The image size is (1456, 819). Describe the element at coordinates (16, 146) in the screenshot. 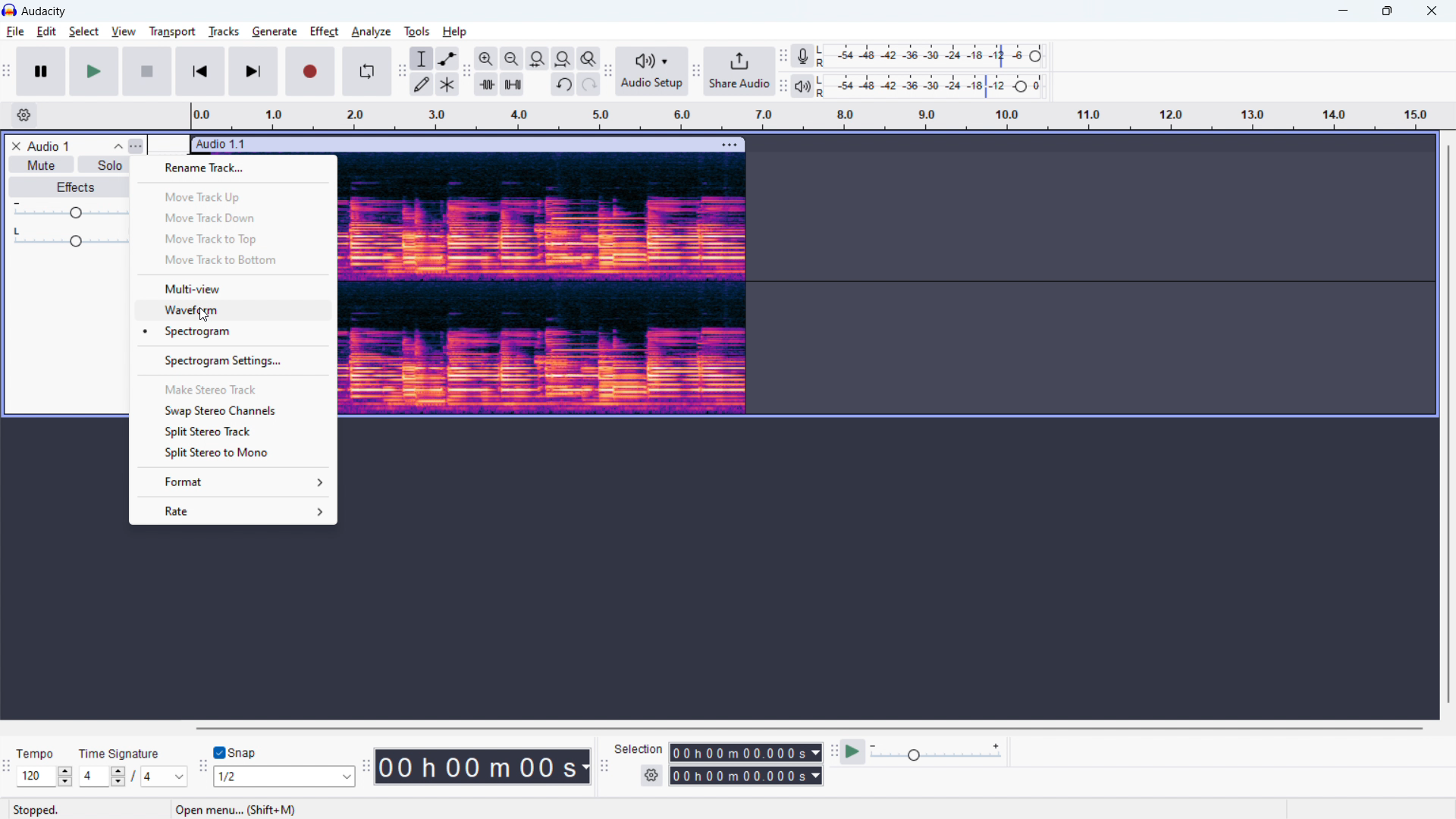

I see `remove track` at that location.